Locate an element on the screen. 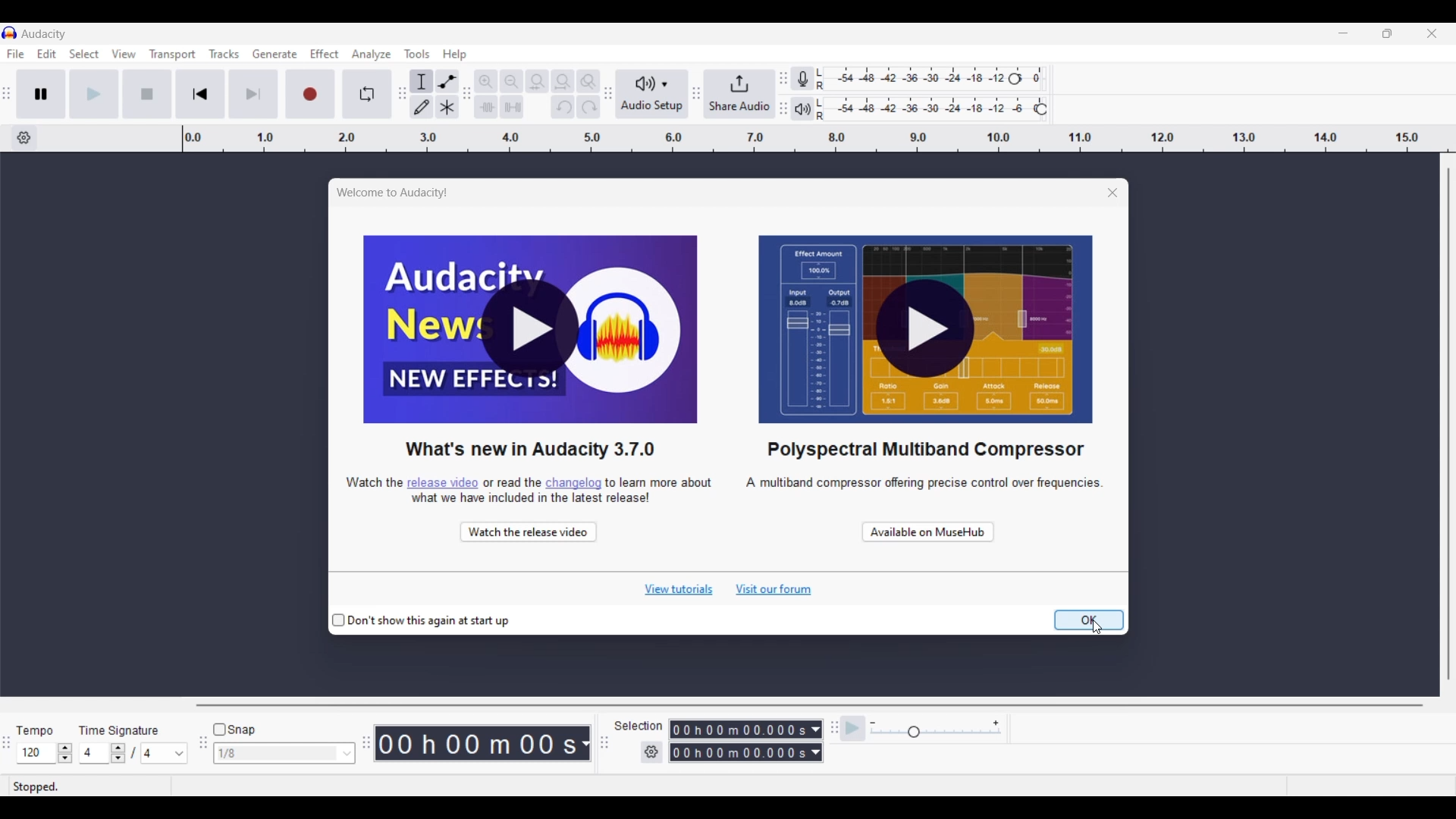 Image resolution: width=1456 pixels, height=819 pixels. Fit project to width is located at coordinates (563, 82).